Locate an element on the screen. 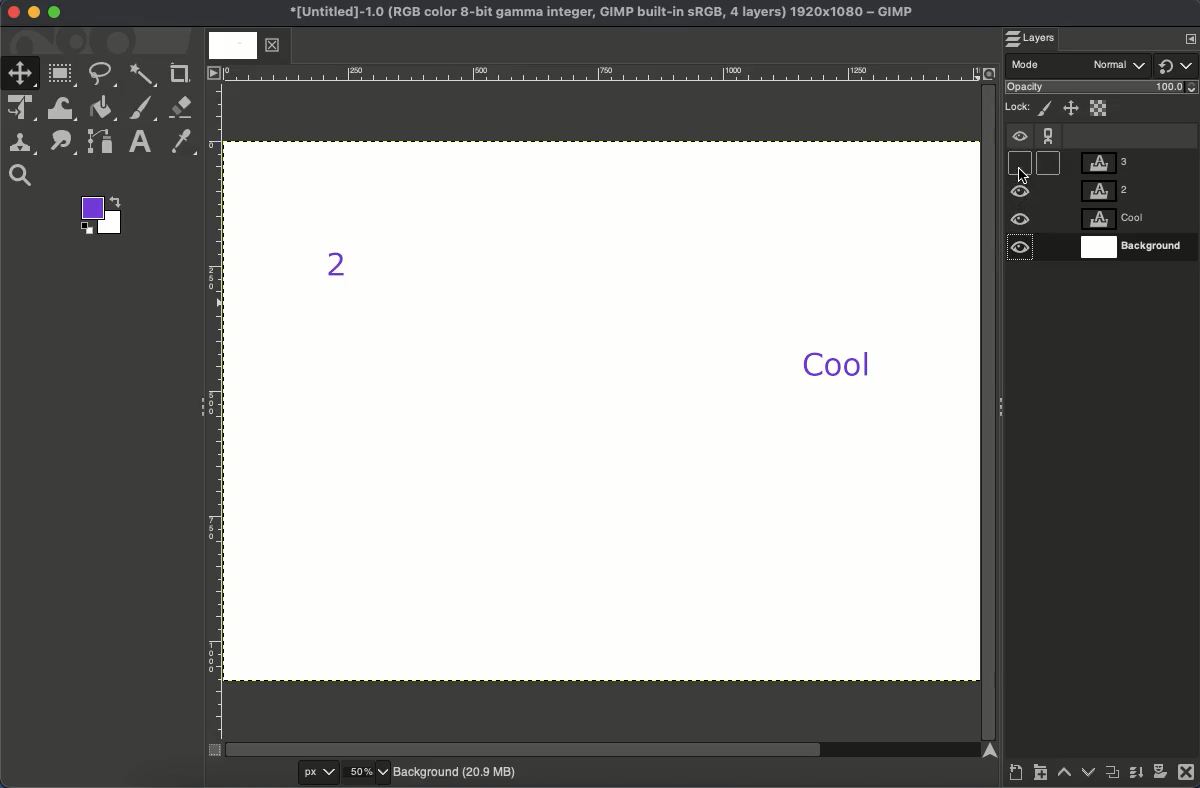 The width and height of the screenshot is (1200, 788). Create new layer group is located at coordinates (1041, 776).